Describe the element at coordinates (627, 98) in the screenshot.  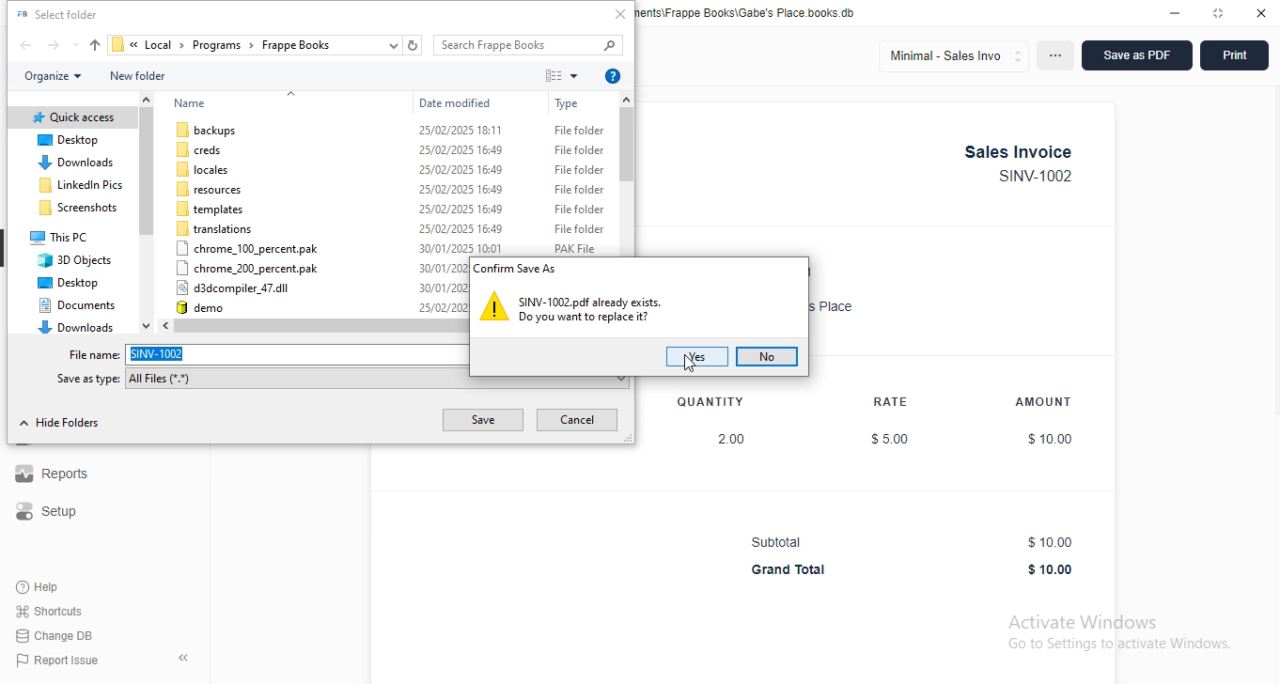
I see `scroll up` at that location.